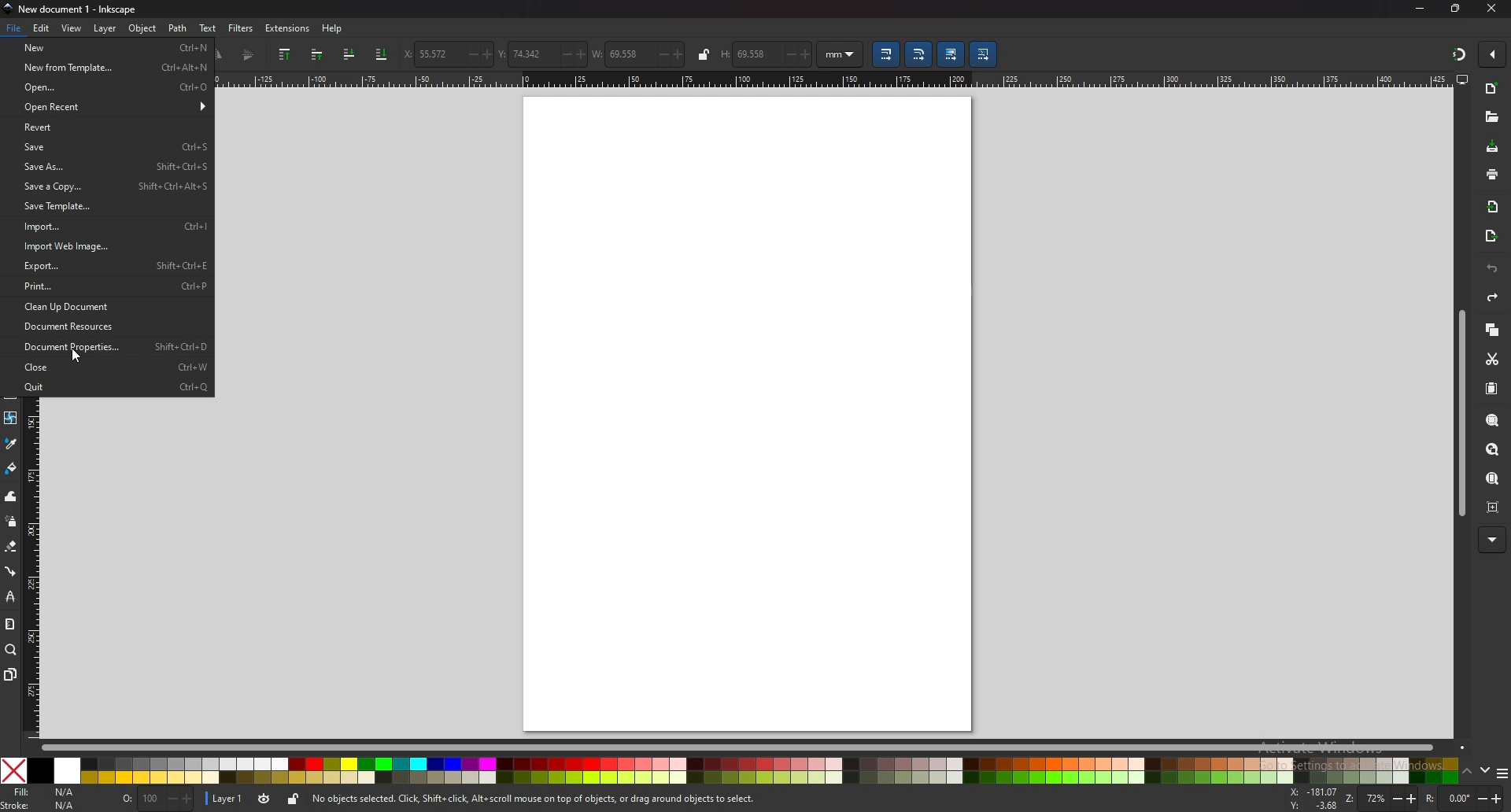 This screenshot has height=812, width=1511. Describe the element at coordinates (1492, 174) in the screenshot. I see `print` at that location.